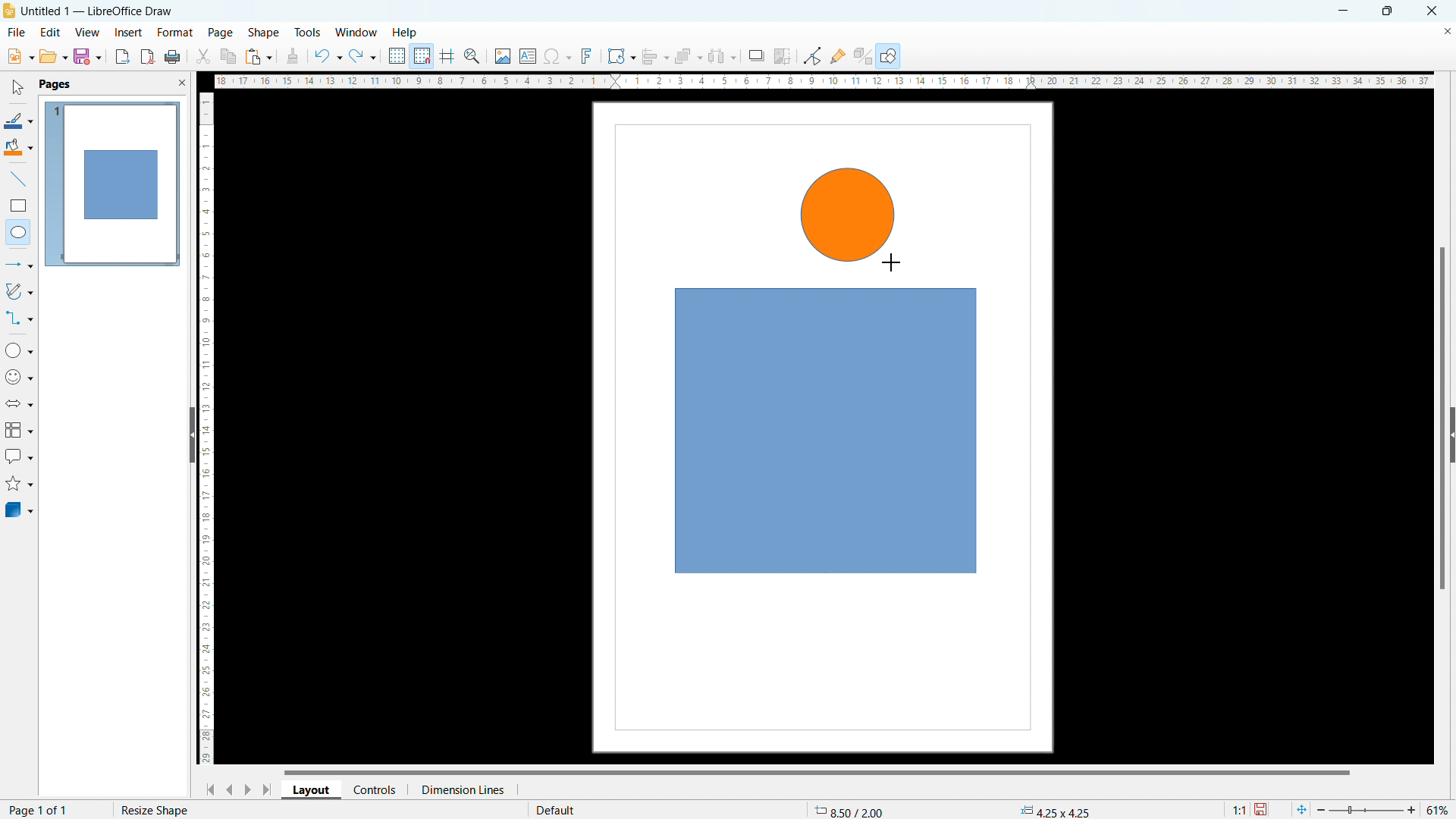  Describe the element at coordinates (20, 56) in the screenshot. I see `new` at that location.